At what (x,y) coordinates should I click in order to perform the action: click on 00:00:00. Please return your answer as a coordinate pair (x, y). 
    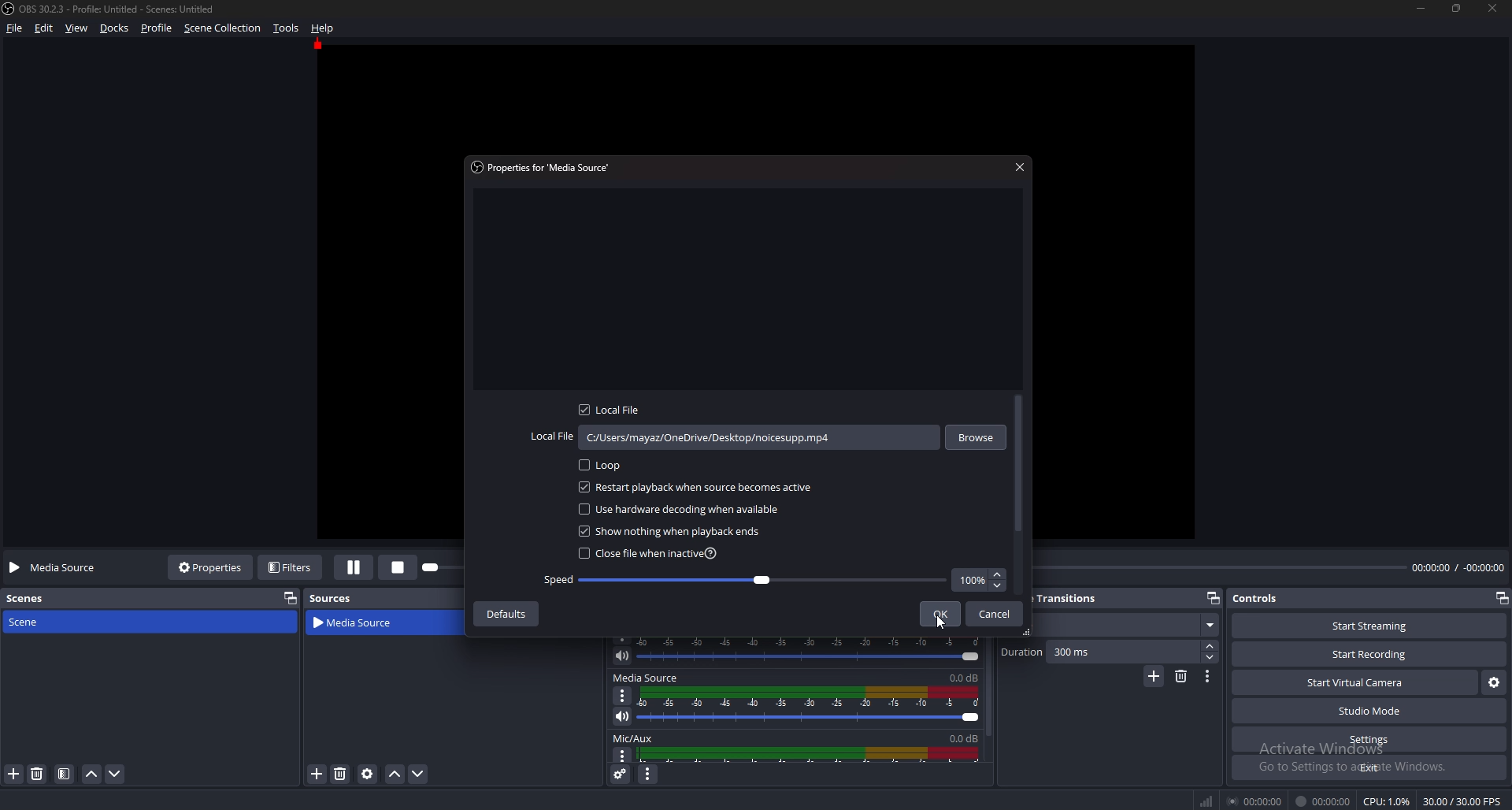
    Looking at the image, I should click on (1257, 801).